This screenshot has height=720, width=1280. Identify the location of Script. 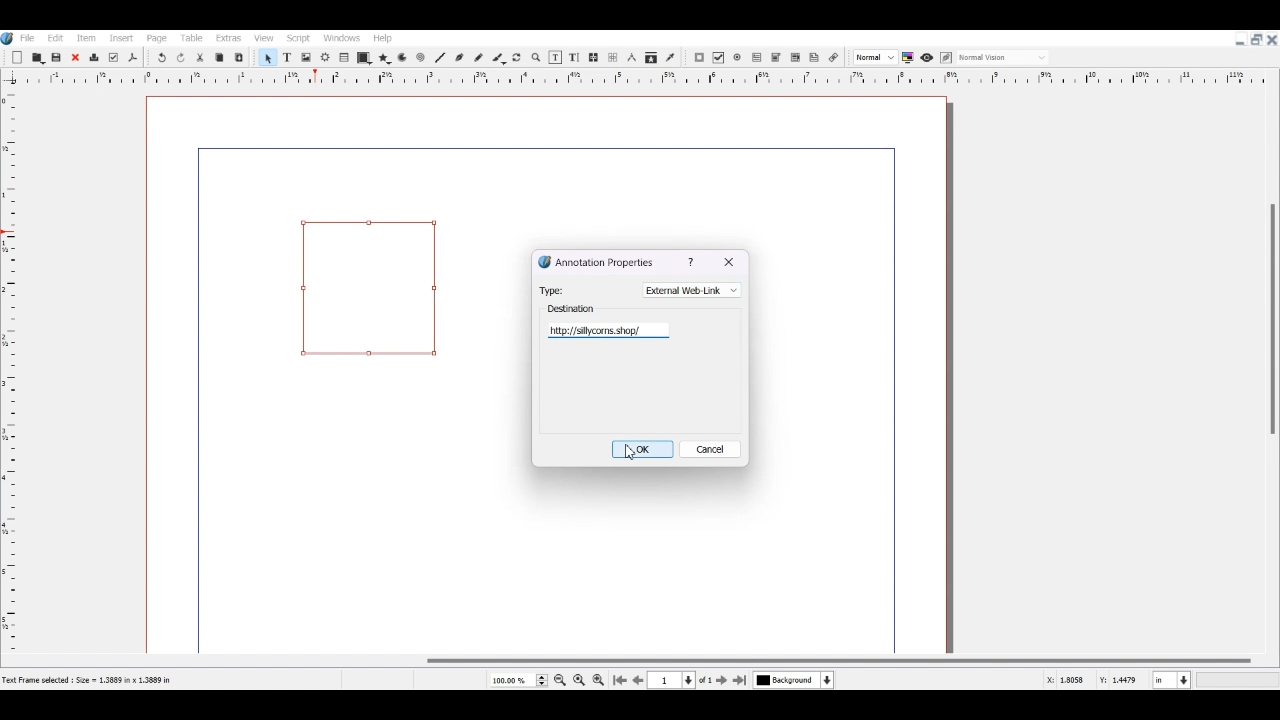
(300, 37).